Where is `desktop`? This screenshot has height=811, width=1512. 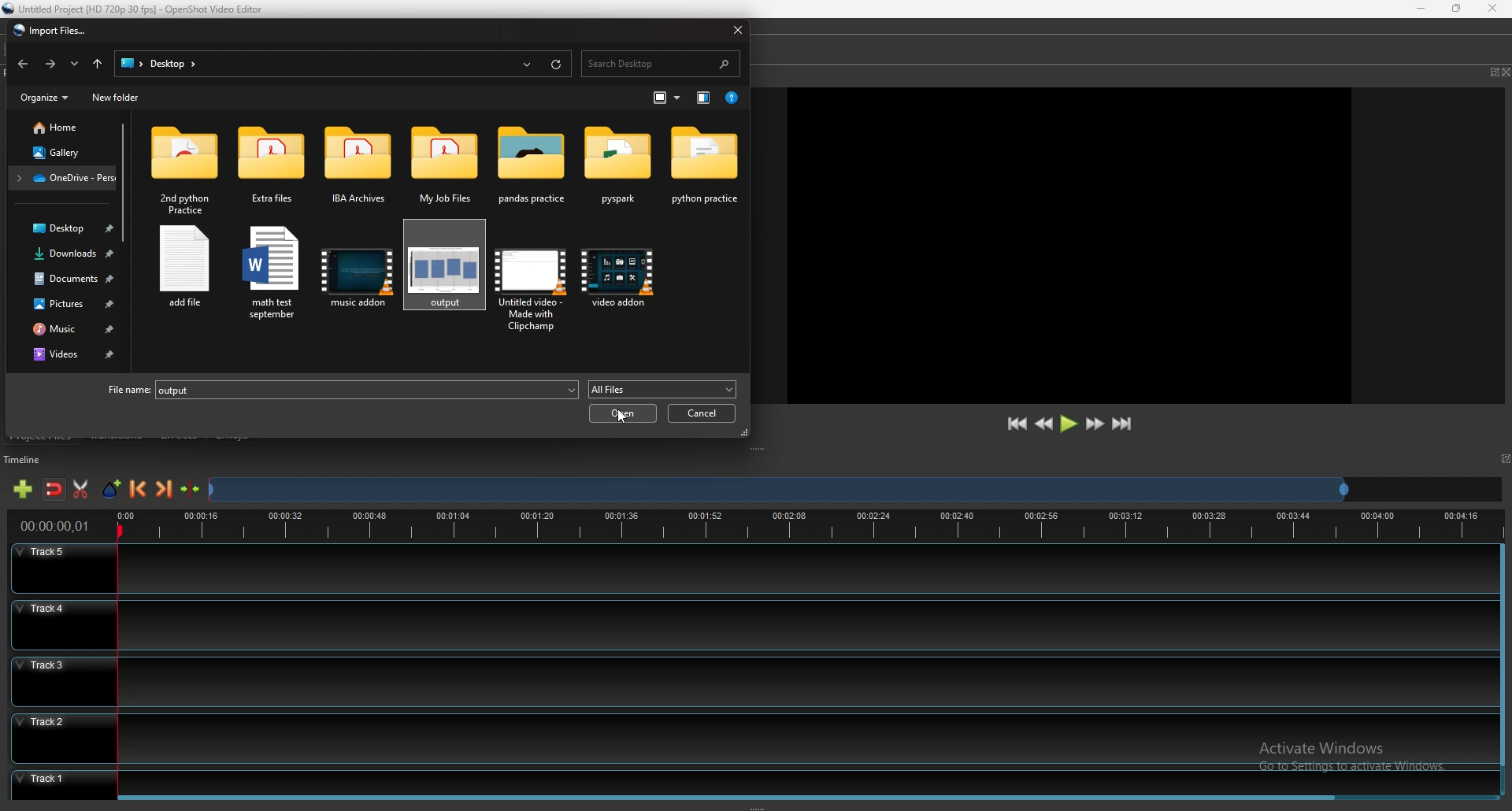
desktop is located at coordinates (154, 63).